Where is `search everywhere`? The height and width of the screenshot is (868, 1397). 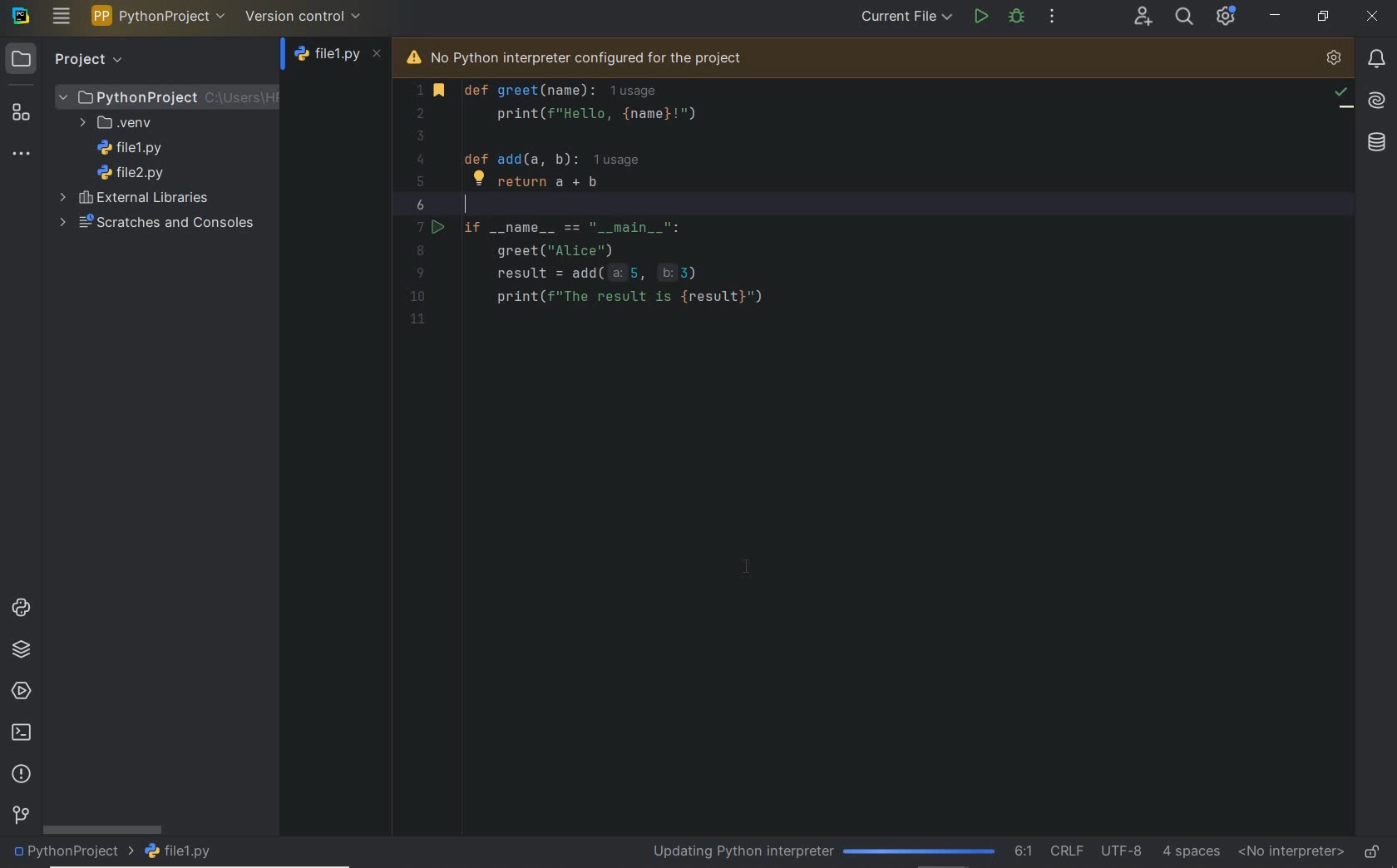
search everywhere is located at coordinates (1185, 16).